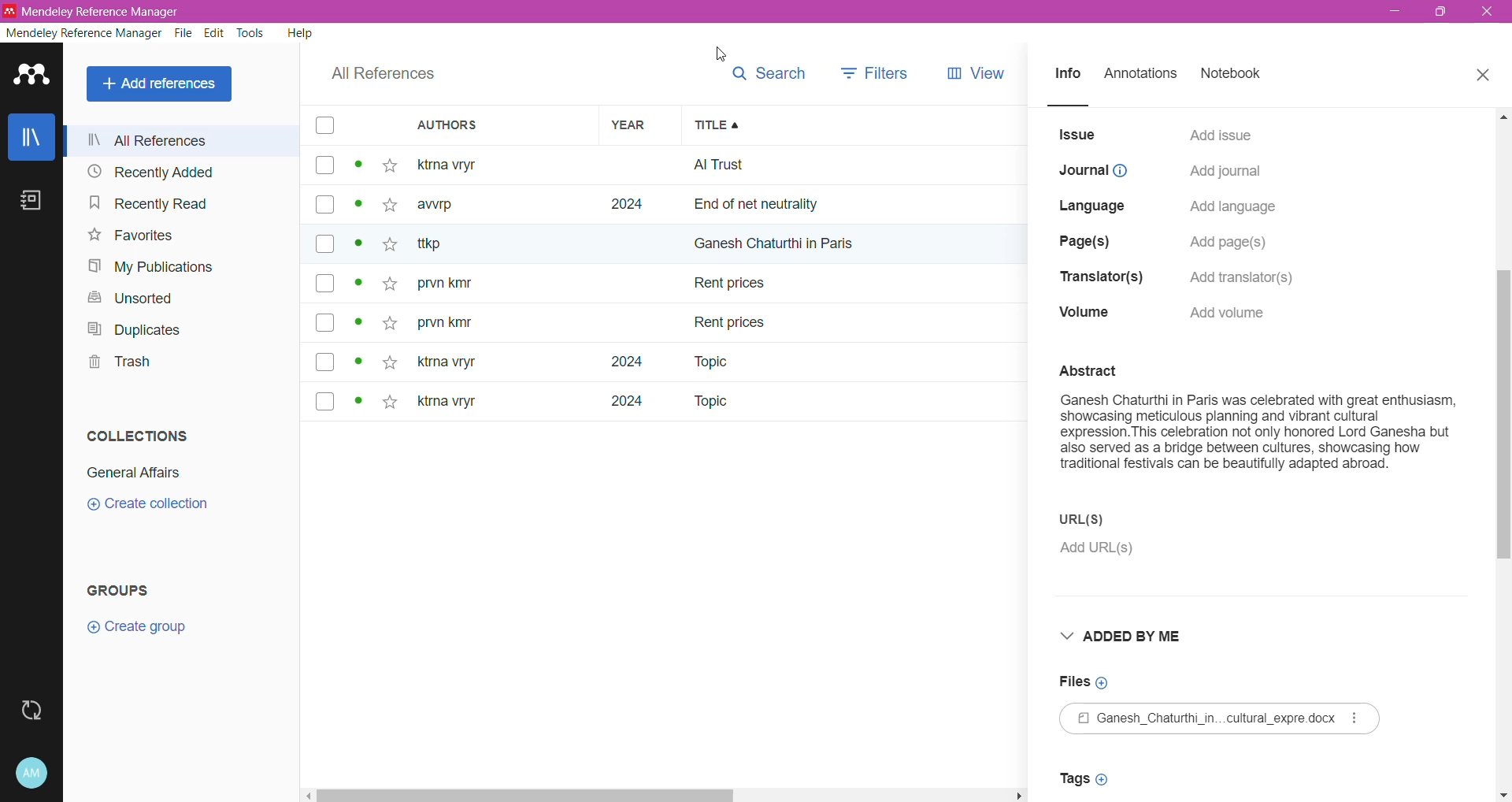  I want to click on Click to select the item, so click(324, 266).